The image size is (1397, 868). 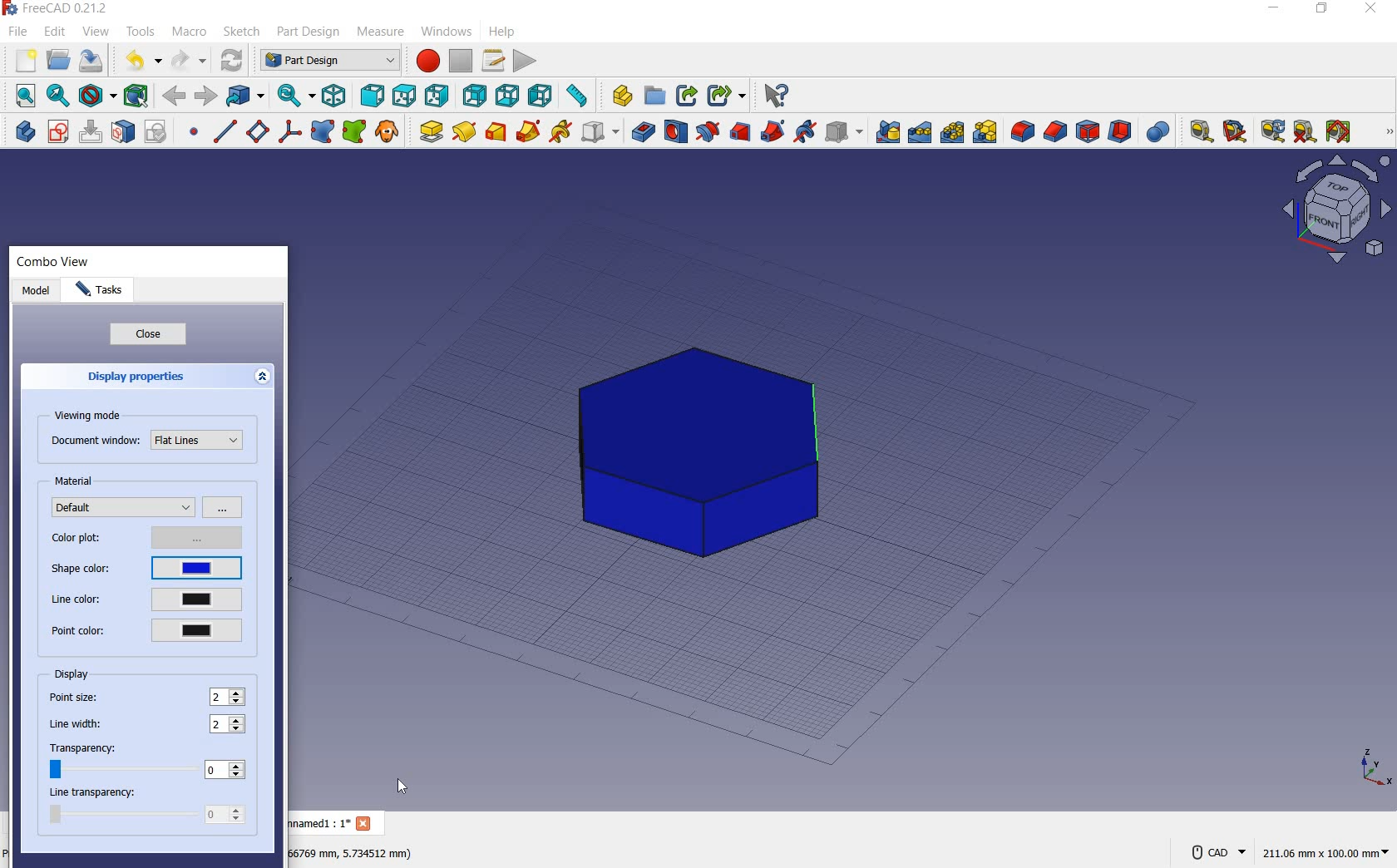 What do you see at coordinates (496, 131) in the screenshot?
I see `additive loft` at bounding box center [496, 131].